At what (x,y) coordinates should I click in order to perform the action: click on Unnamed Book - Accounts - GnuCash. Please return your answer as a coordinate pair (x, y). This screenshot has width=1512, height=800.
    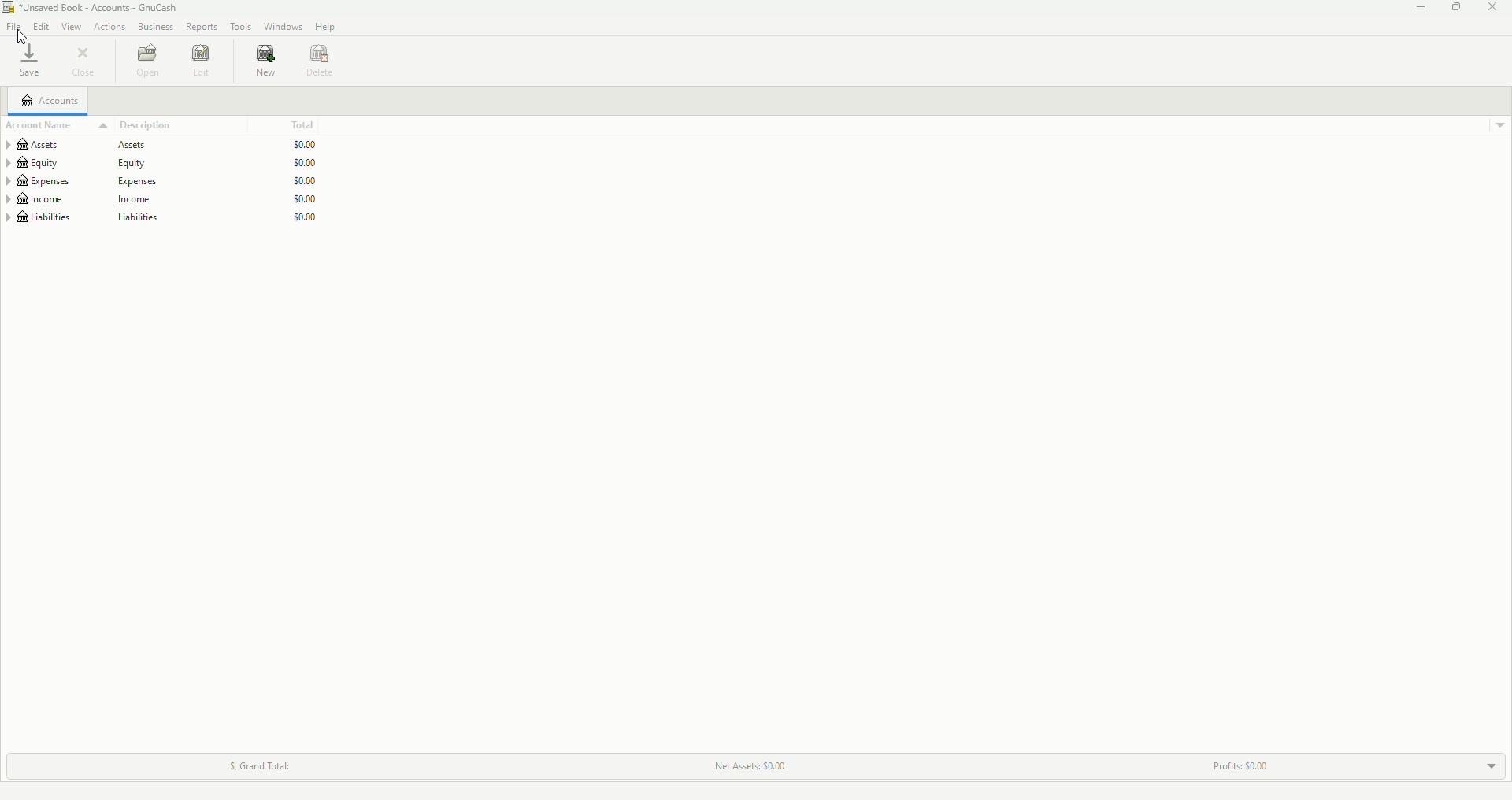
    Looking at the image, I should click on (95, 8).